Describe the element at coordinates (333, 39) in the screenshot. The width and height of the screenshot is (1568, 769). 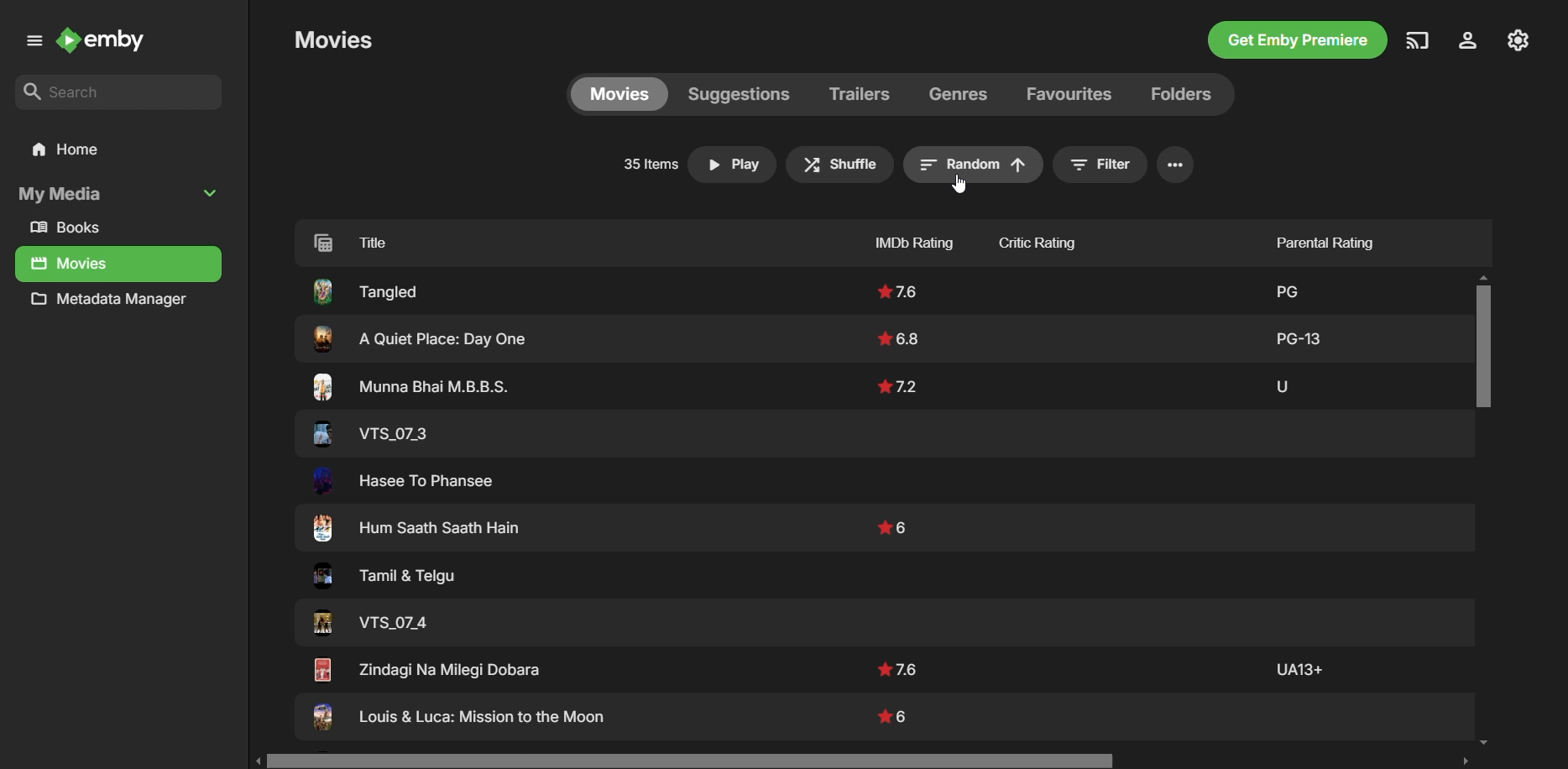
I see `Movies` at that location.